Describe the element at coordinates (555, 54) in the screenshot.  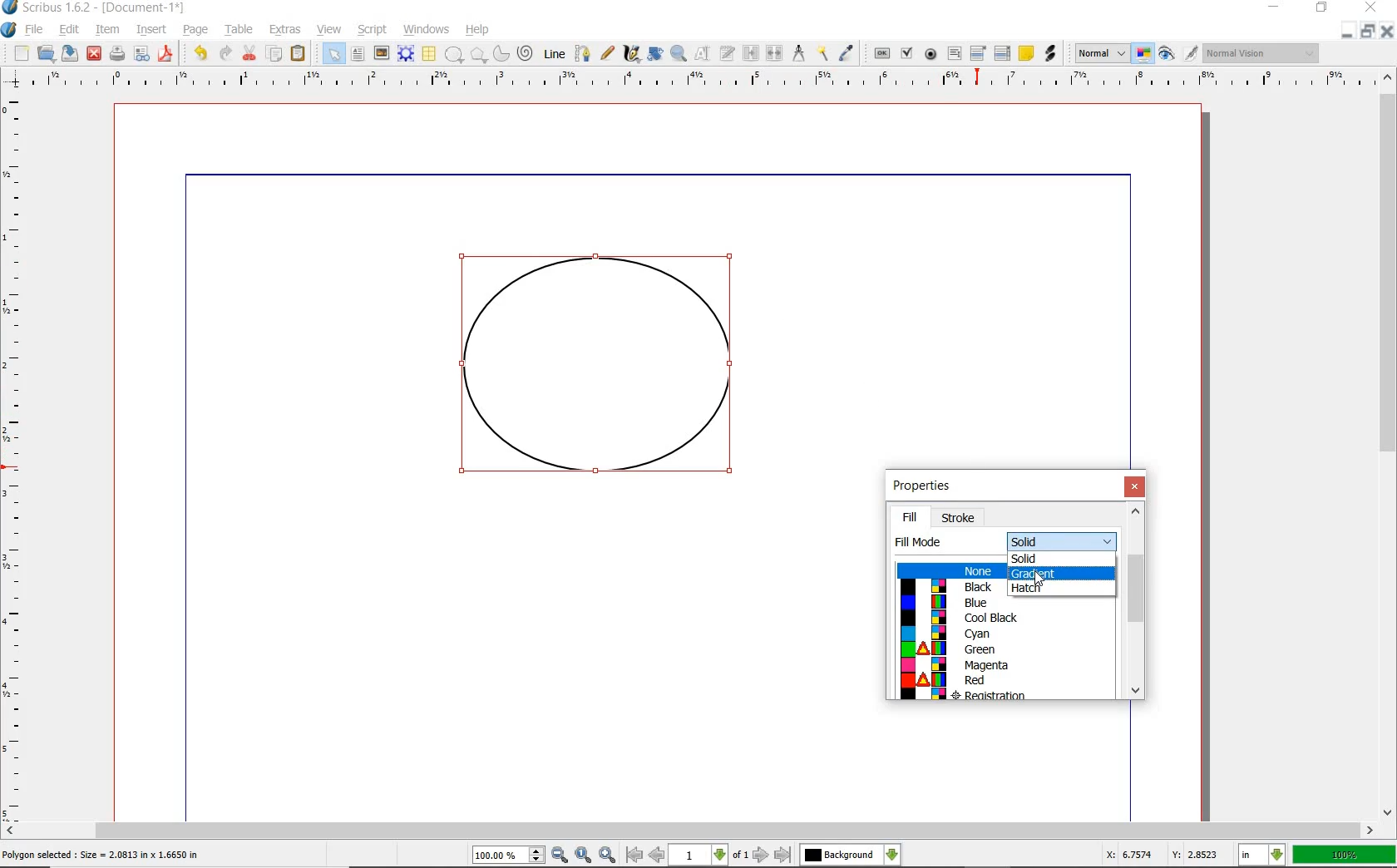
I see `LINE` at that location.